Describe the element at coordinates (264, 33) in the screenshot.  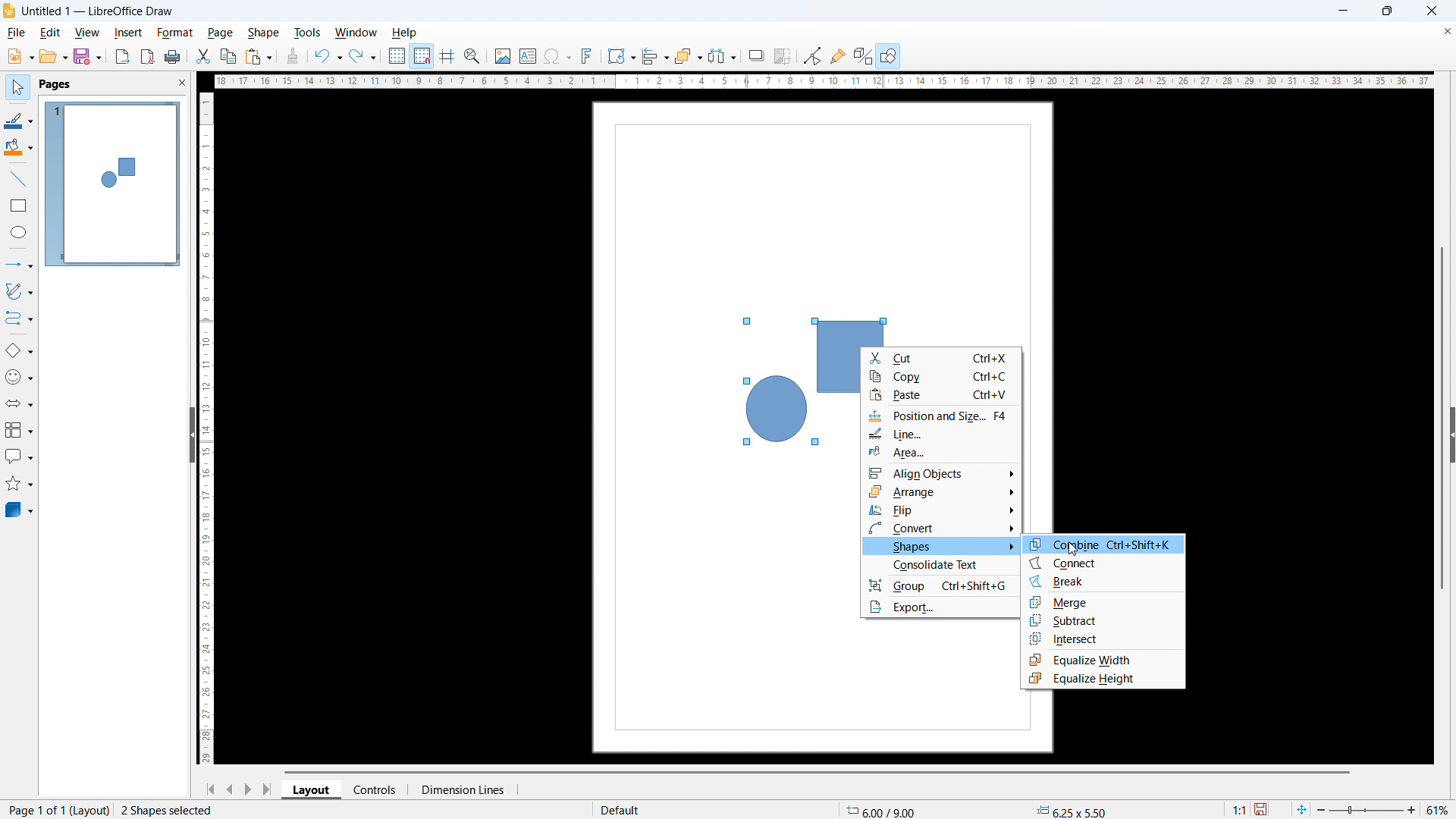
I see `shape` at that location.